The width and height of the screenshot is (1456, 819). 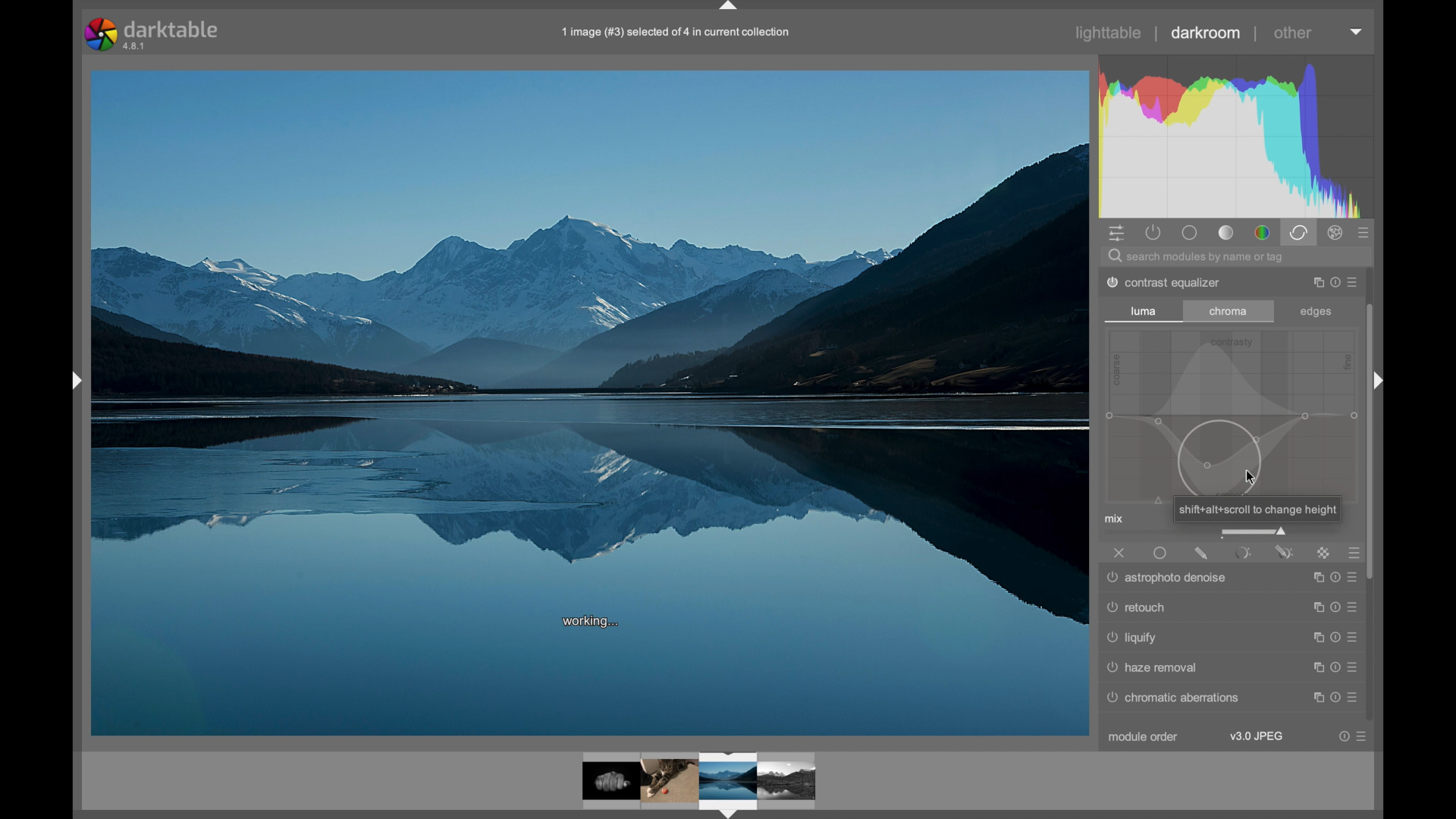 I want to click on © chromatic aberrations, so click(x=1185, y=698).